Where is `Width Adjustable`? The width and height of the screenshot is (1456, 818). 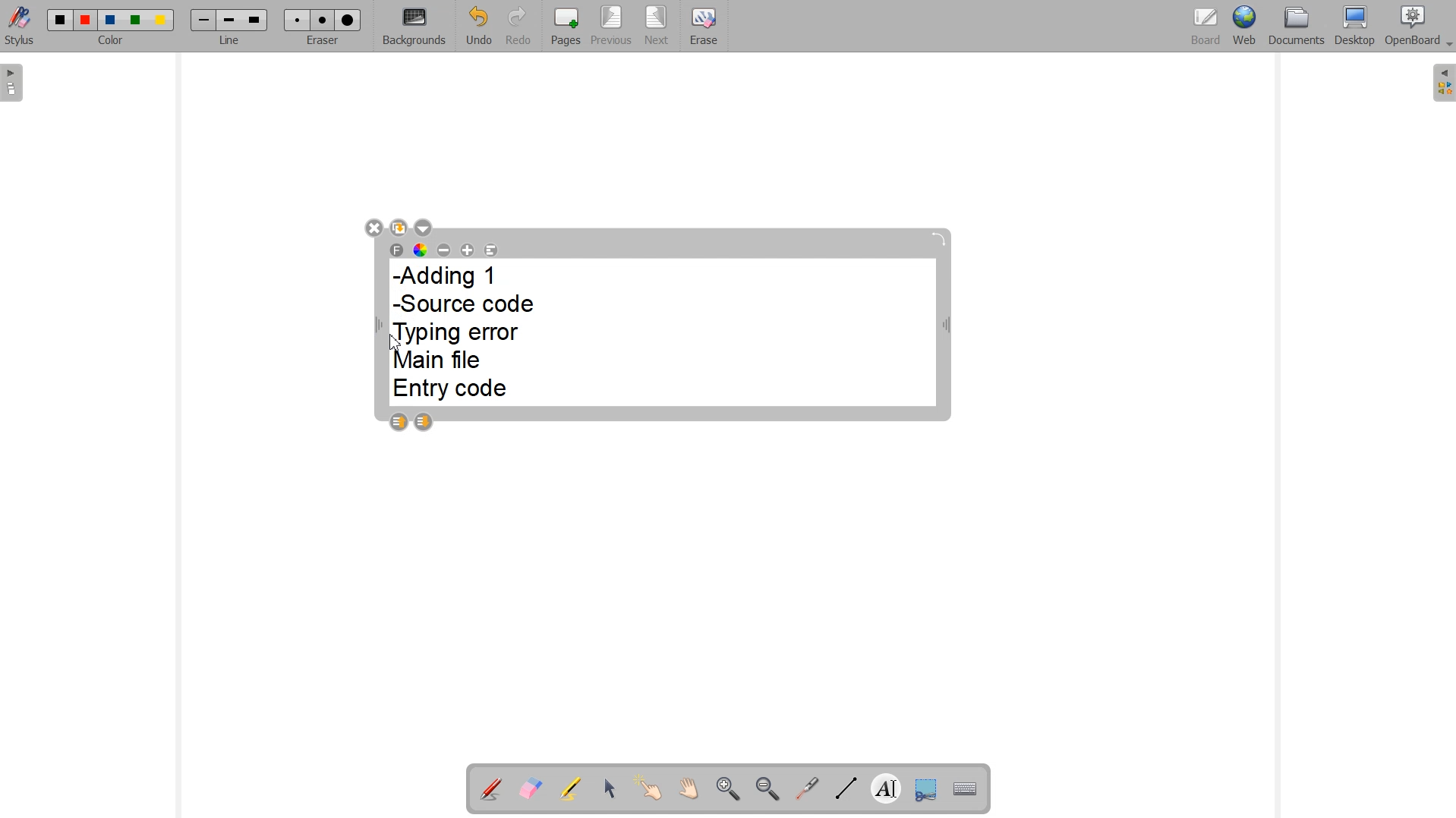
Width Adjustable is located at coordinates (381, 326).